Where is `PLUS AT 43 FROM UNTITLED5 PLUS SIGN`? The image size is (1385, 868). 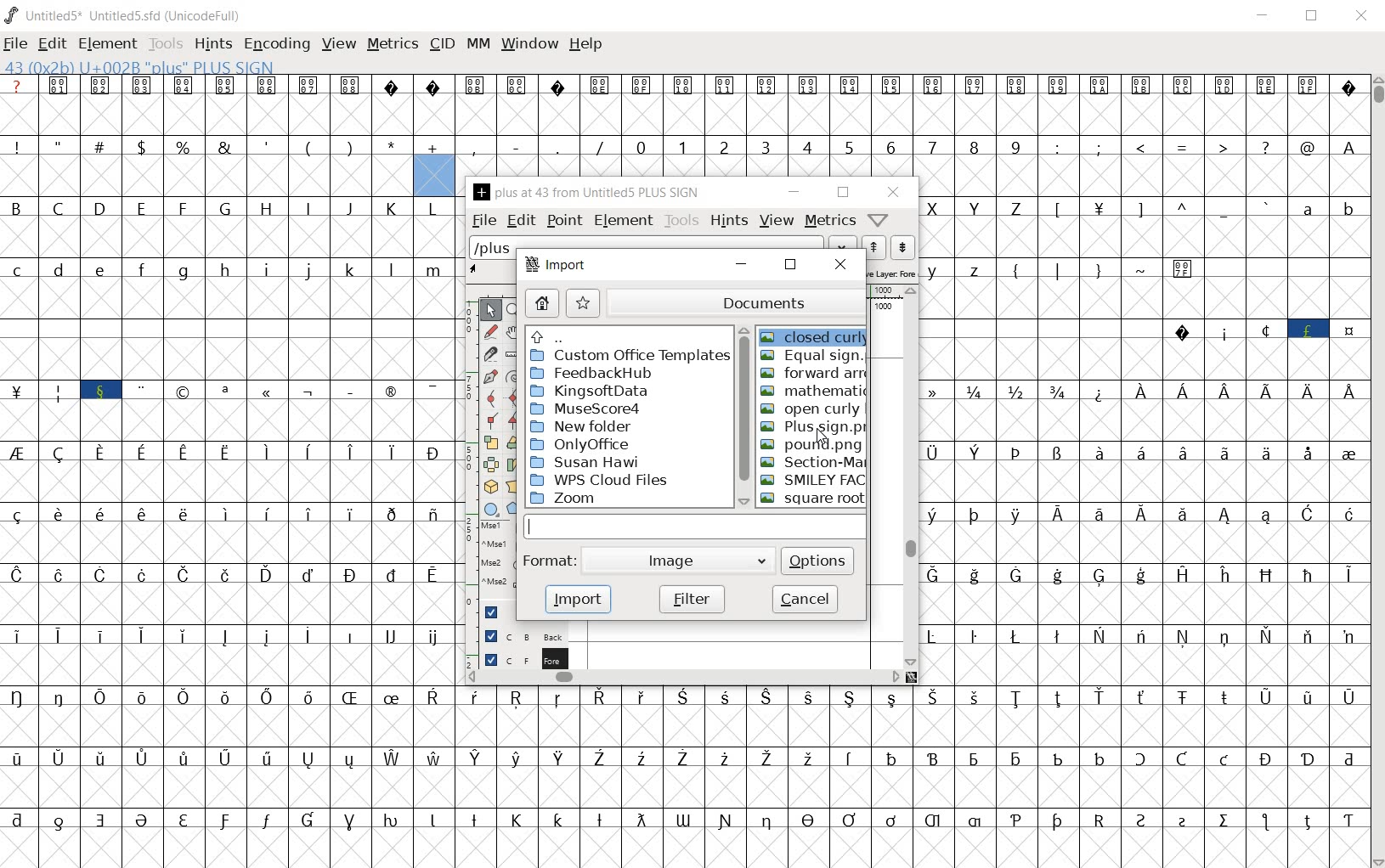 PLUS AT 43 FROM UNTITLED5 PLUS SIGN is located at coordinates (589, 194).